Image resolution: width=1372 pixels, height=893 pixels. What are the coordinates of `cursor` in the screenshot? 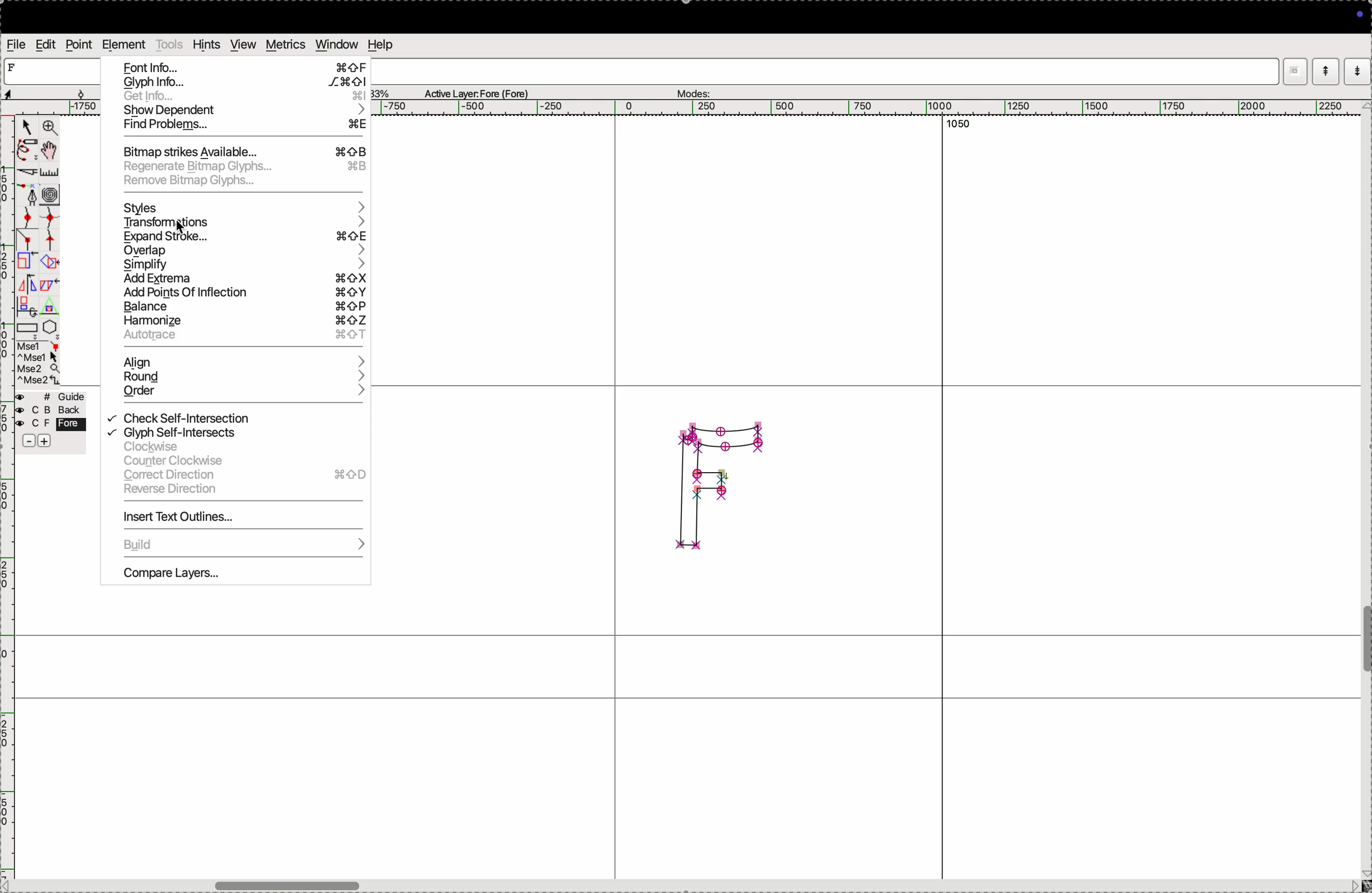 It's located at (25, 128).